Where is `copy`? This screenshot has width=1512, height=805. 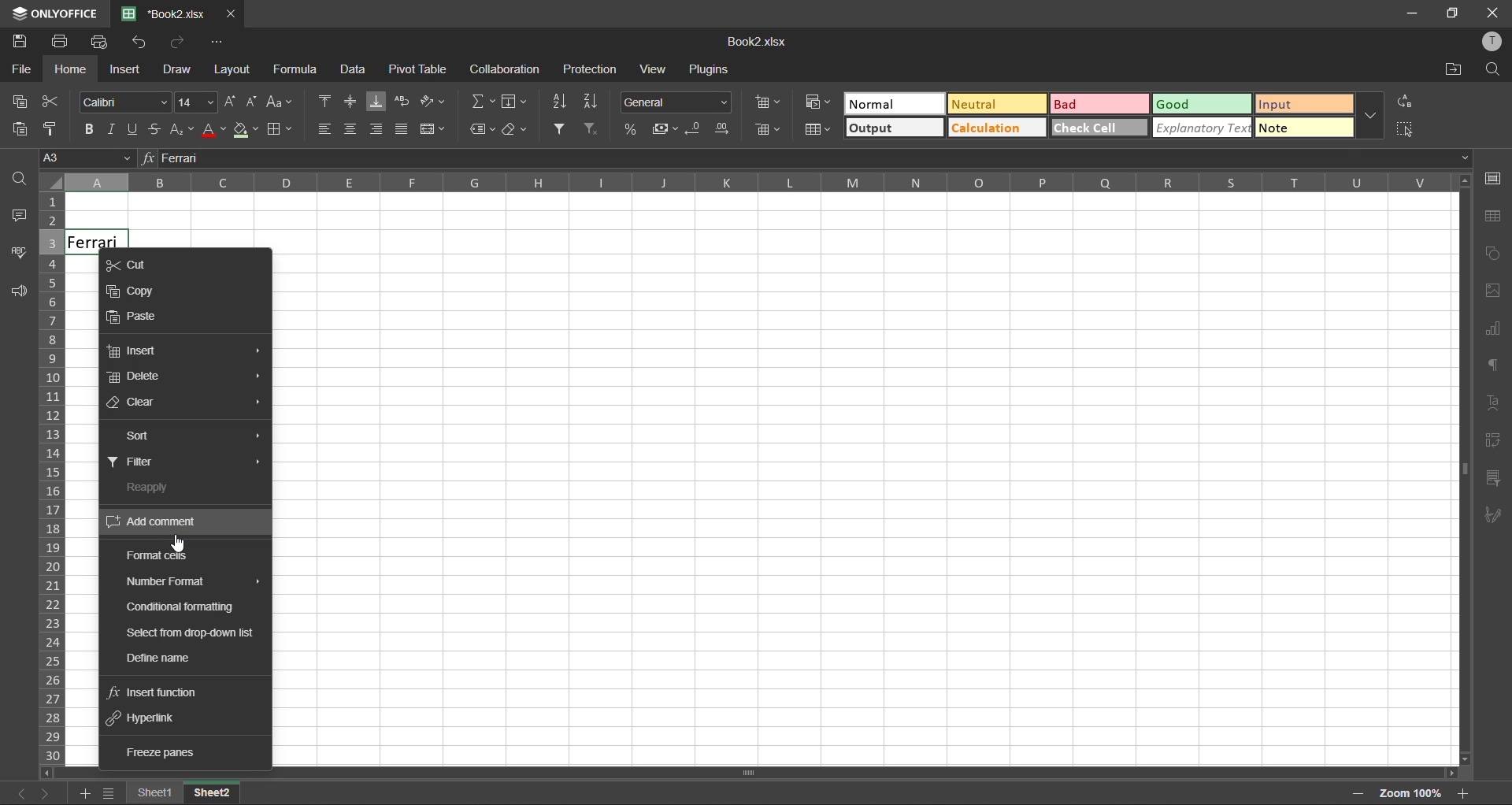 copy is located at coordinates (19, 103).